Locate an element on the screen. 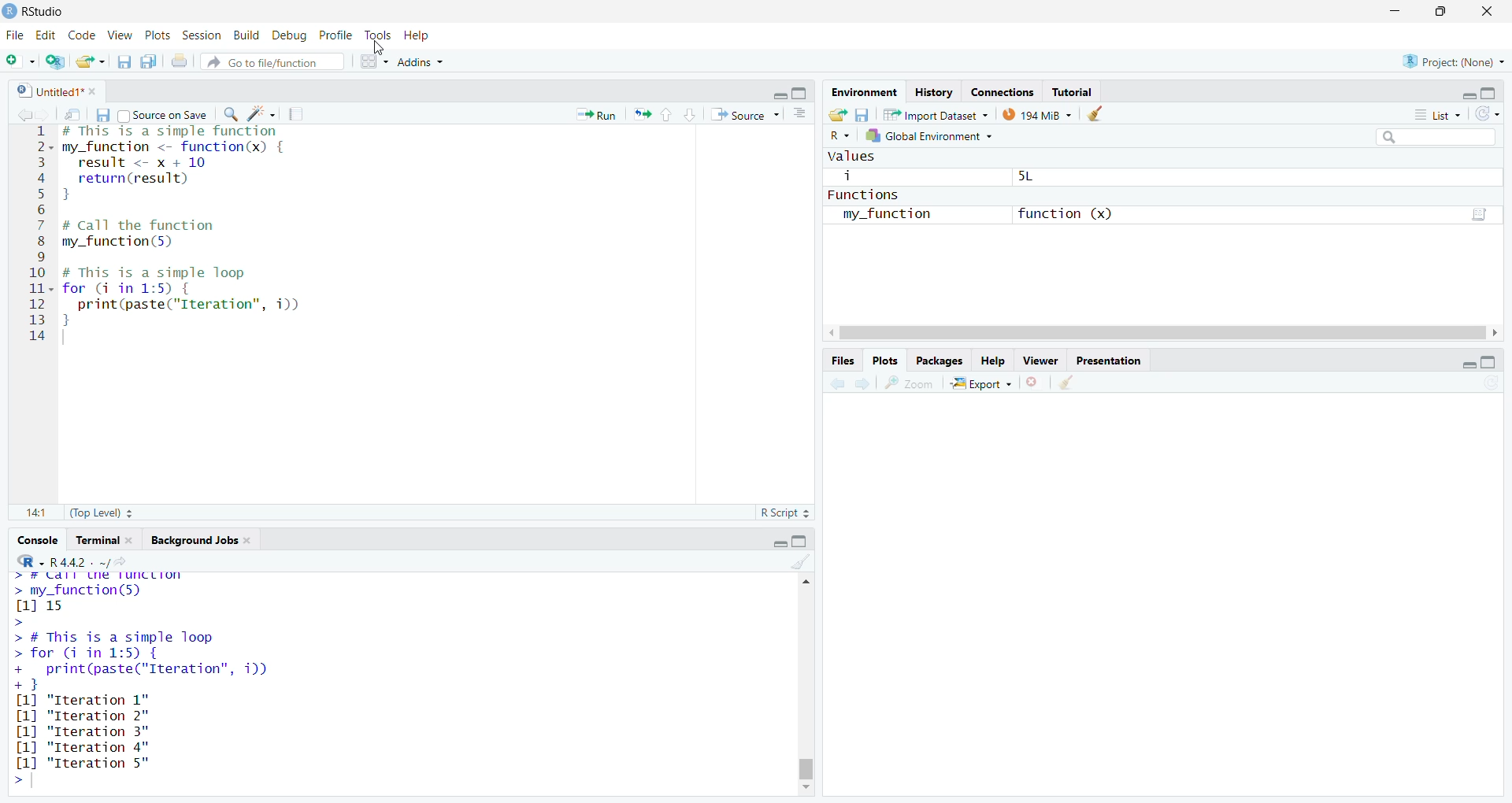 This screenshot has height=803, width=1512. close is located at coordinates (98, 91).